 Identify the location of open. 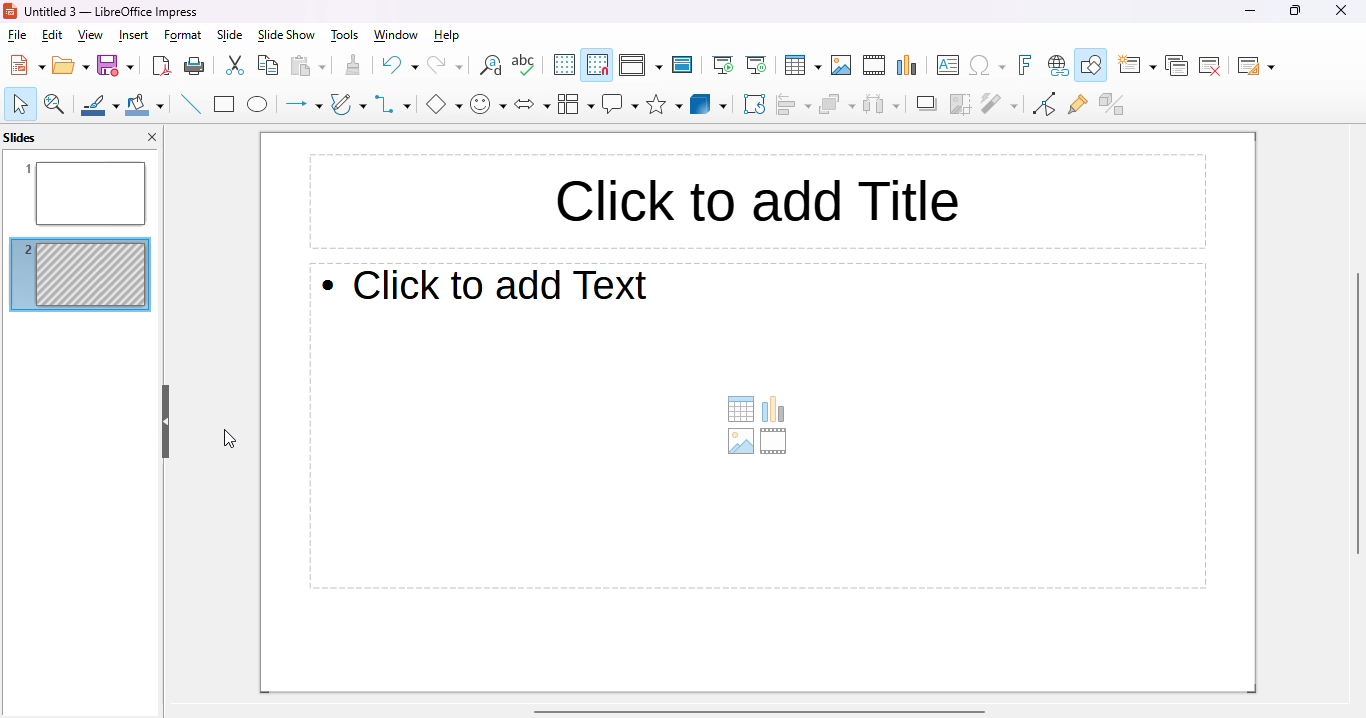
(71, 66).